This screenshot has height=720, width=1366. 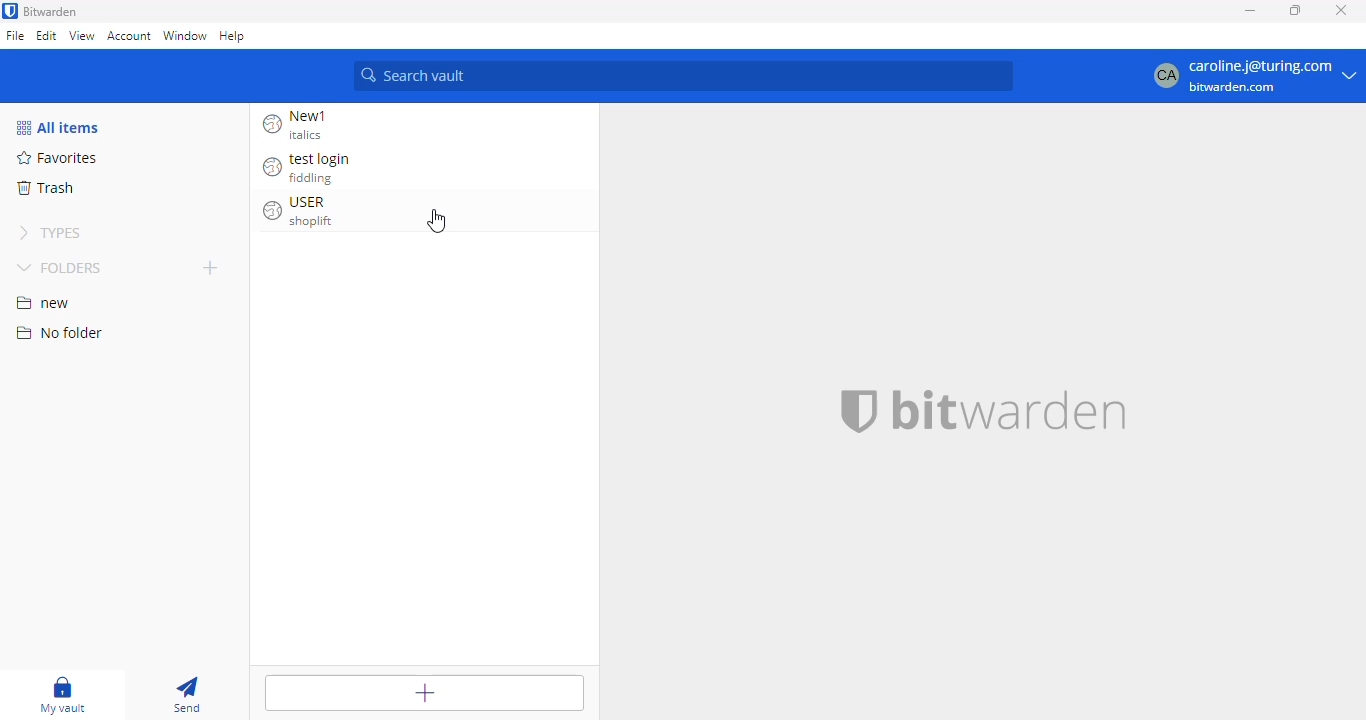 What do you see at coordinates (130, 37) in the screenshot?
I see `account` at bounding box center [130, 37].